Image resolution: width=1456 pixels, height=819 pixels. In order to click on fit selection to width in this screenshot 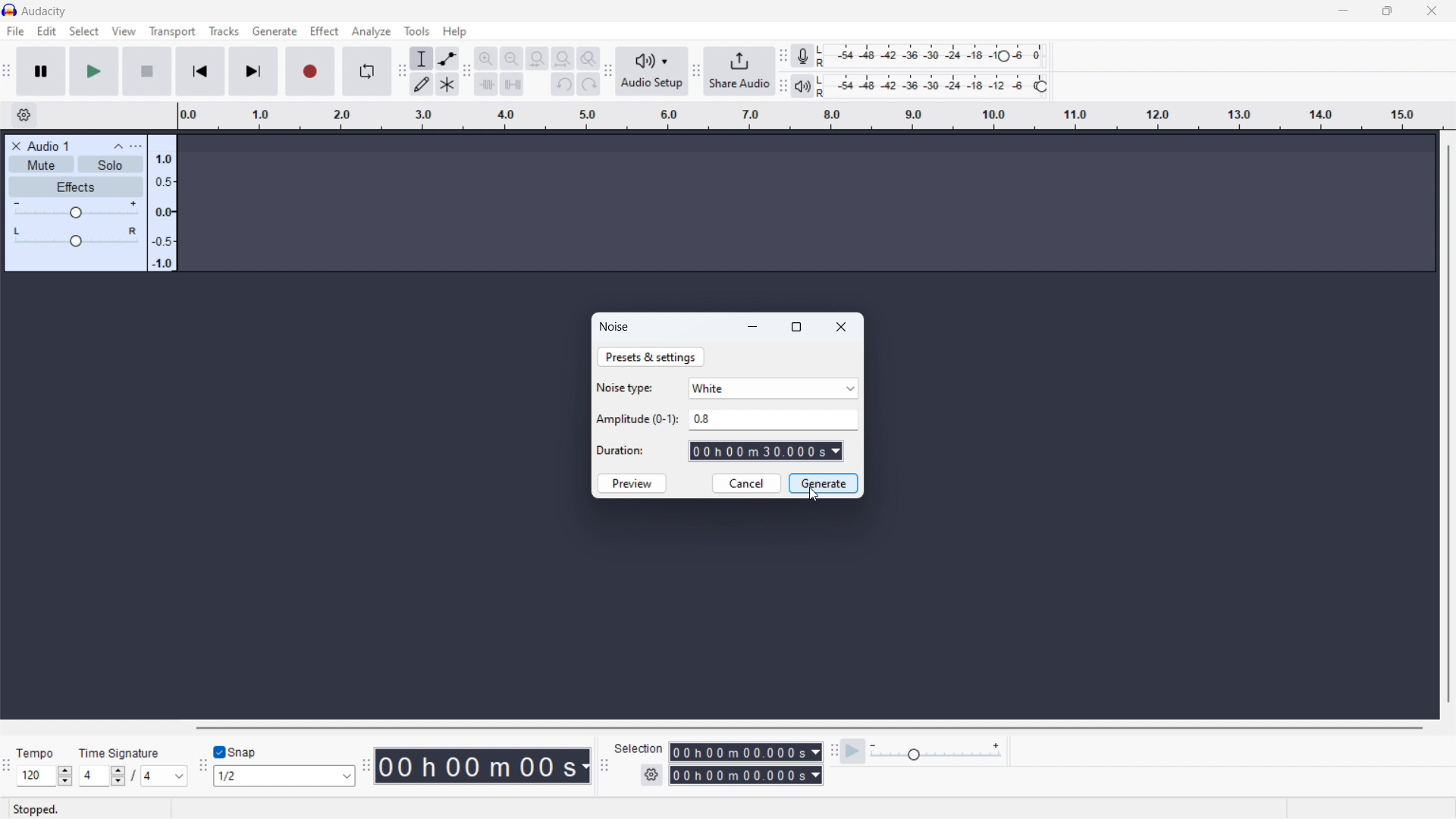, I will do `click(538, 58)`.